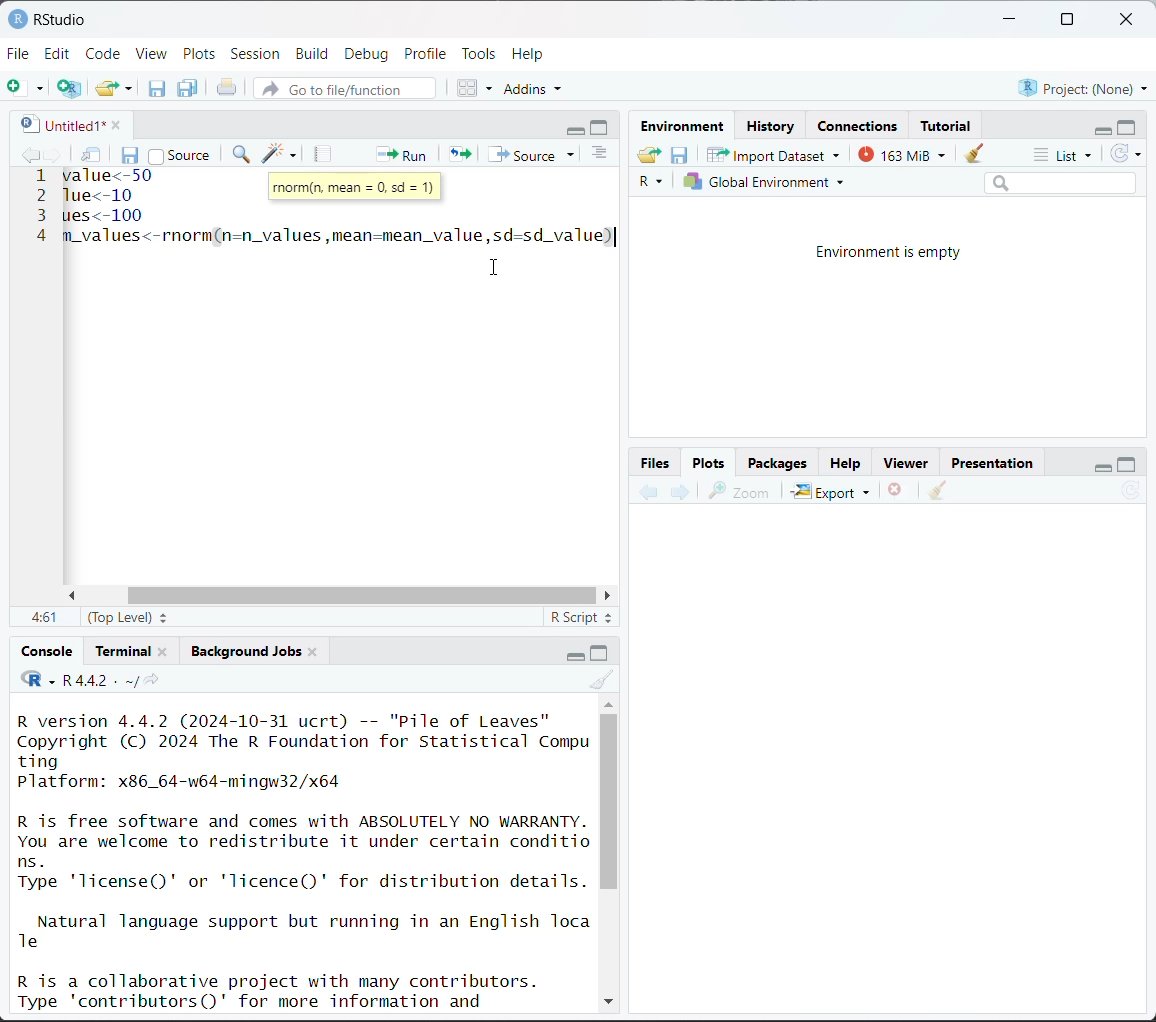  Describe the element at coordinates (503, 264) in the screenshot. I see `cursor` at that location.